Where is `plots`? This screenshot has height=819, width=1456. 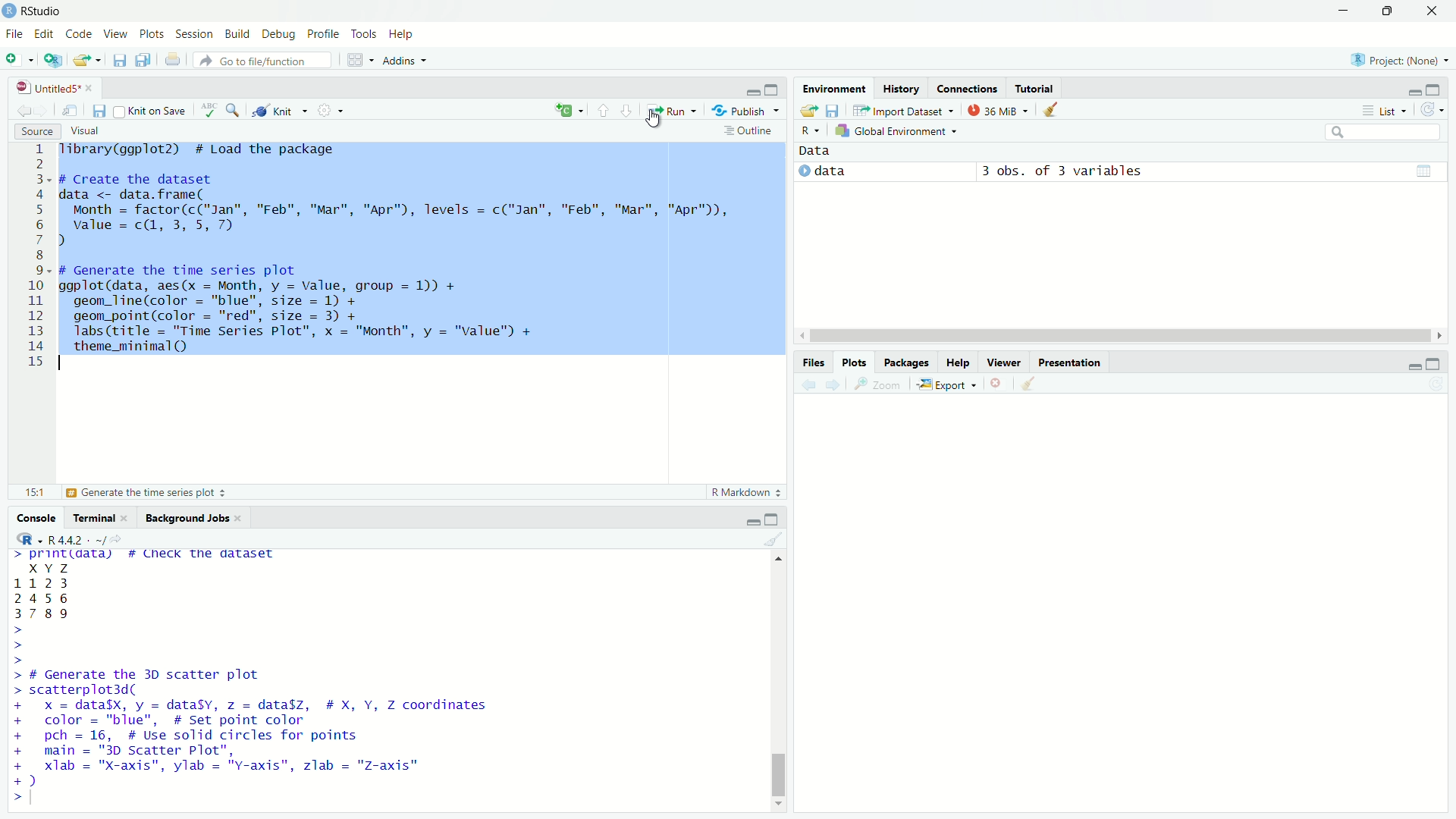
plots is located at coordinates (855, 362).